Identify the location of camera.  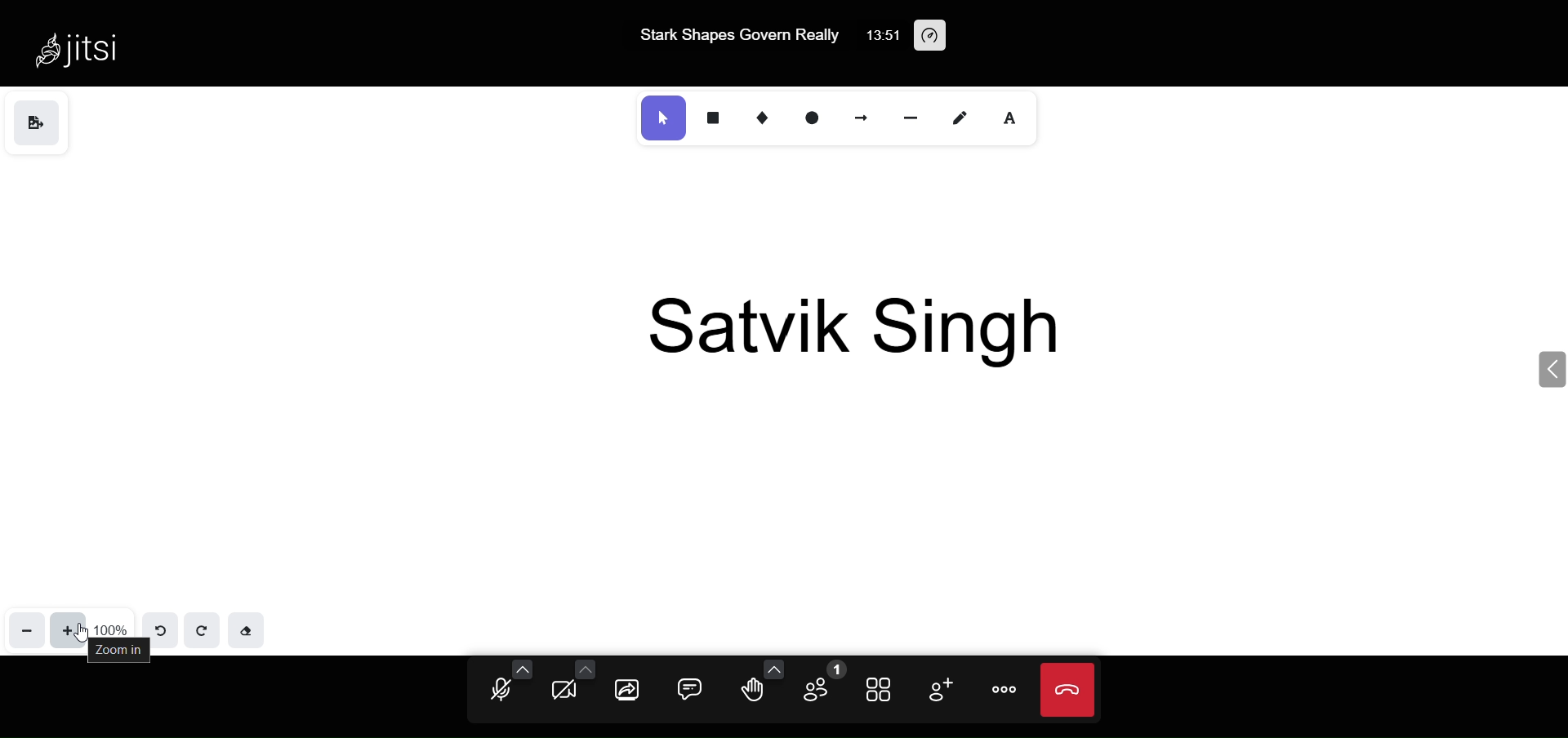
(564, 690).